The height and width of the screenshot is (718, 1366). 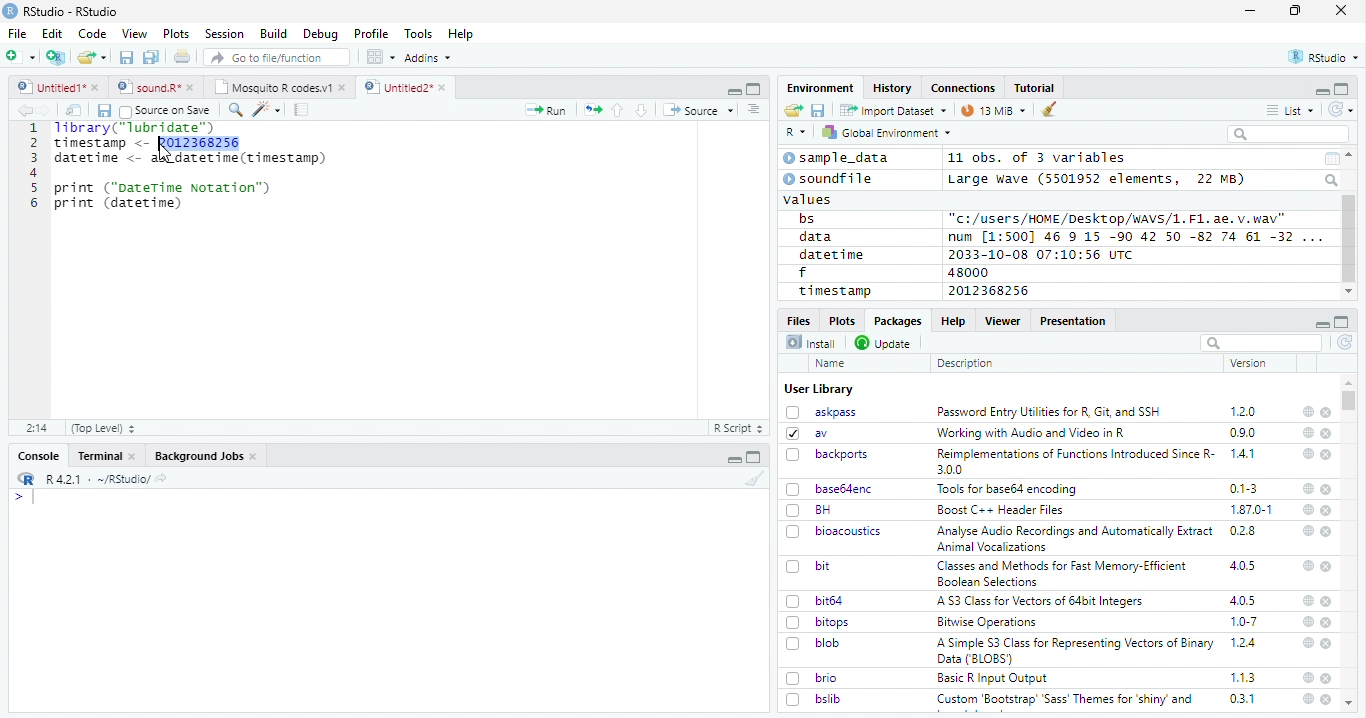 I want to click on Untitled2*, so click(x=409, y=88).